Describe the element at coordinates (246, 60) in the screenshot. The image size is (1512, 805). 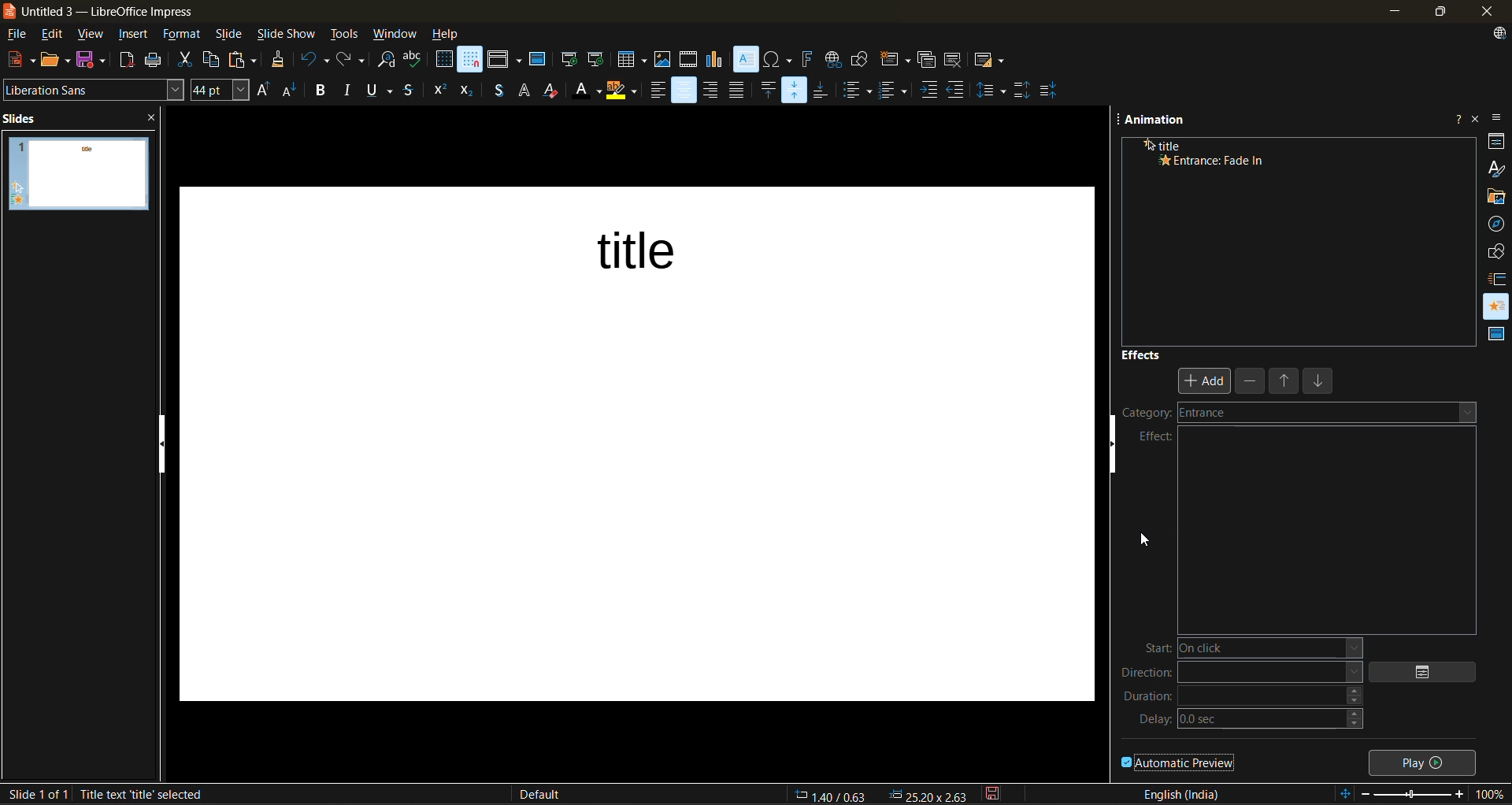
I see `paste` at that location.